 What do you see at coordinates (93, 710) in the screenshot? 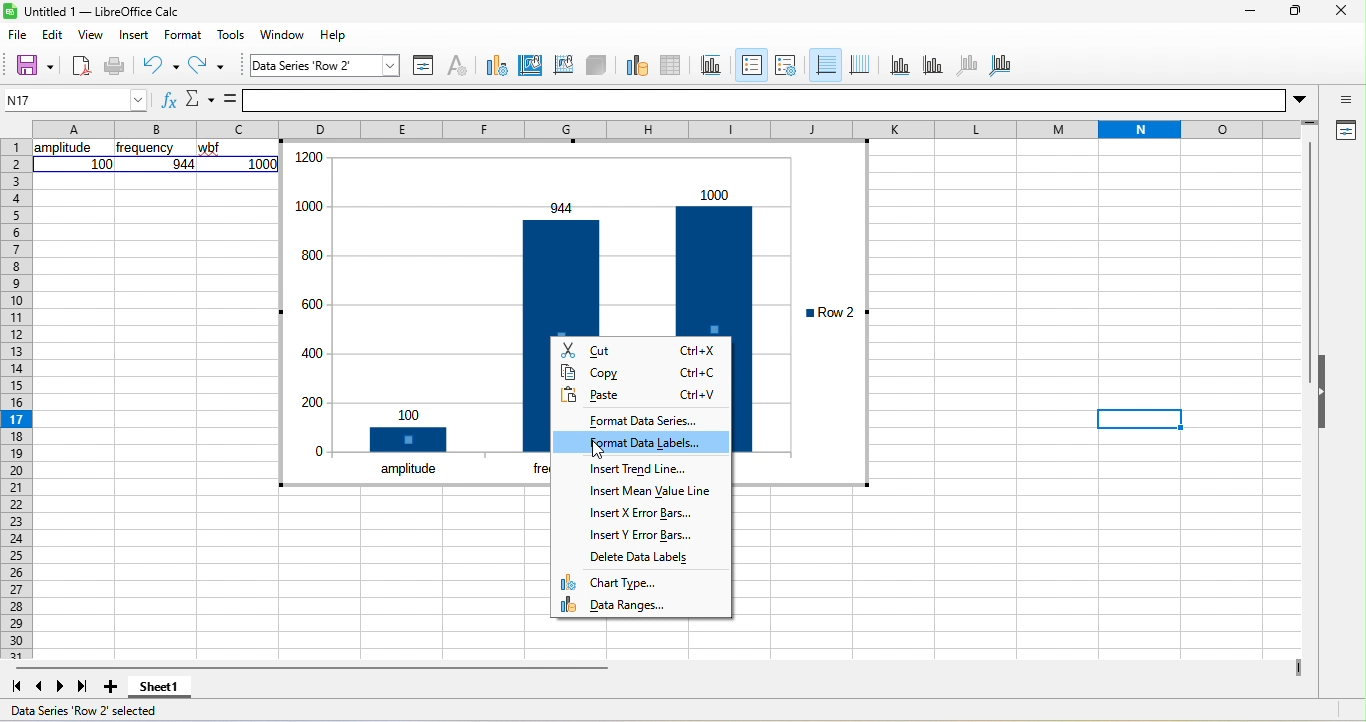
I see `data series row 2 selected` at bounding box center [93, 710].